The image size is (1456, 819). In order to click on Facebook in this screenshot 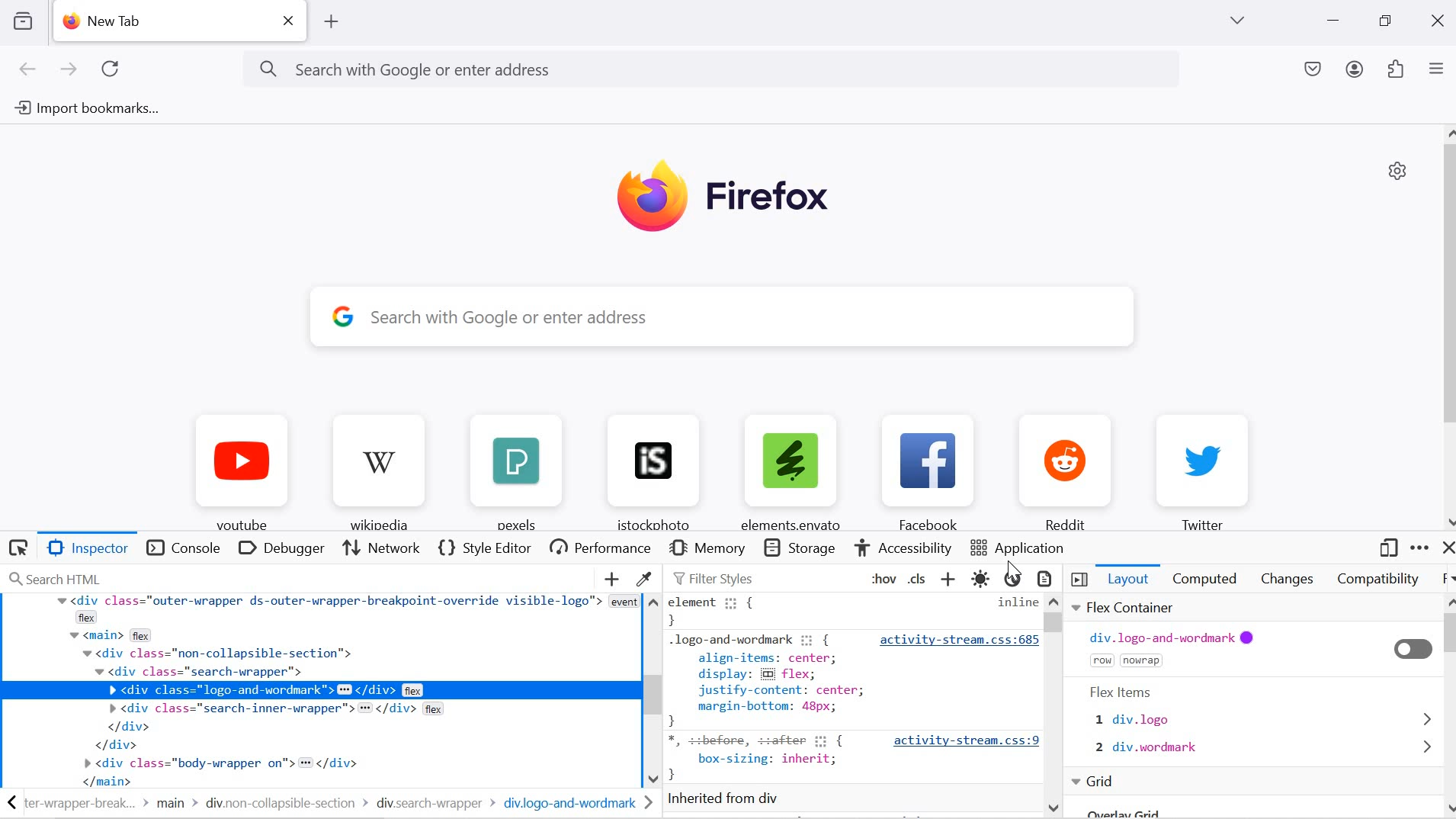, I will do `click(926, 468)`.